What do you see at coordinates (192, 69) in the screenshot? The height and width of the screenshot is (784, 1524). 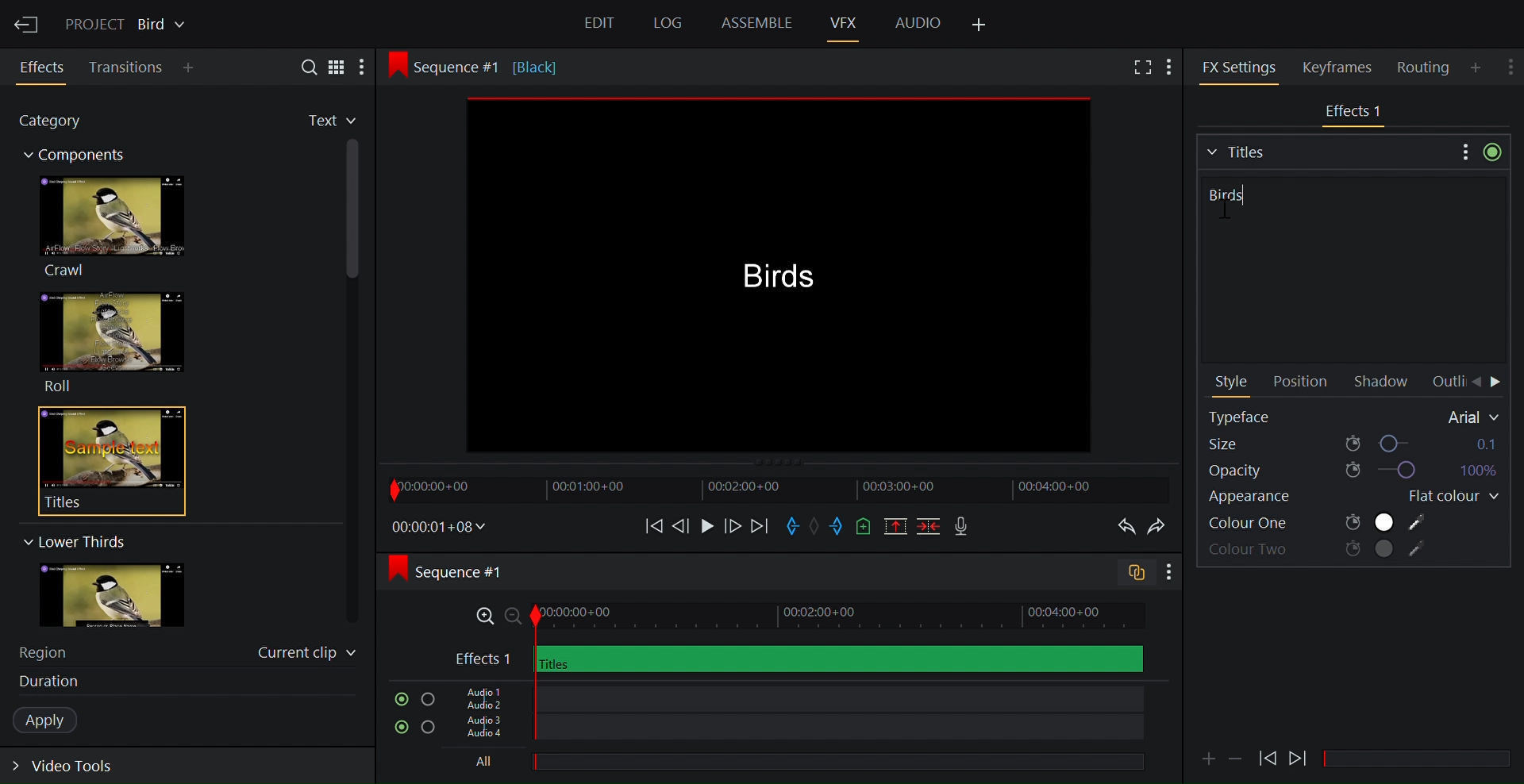 I see `Add Panel` at bounding box center [192, 69].